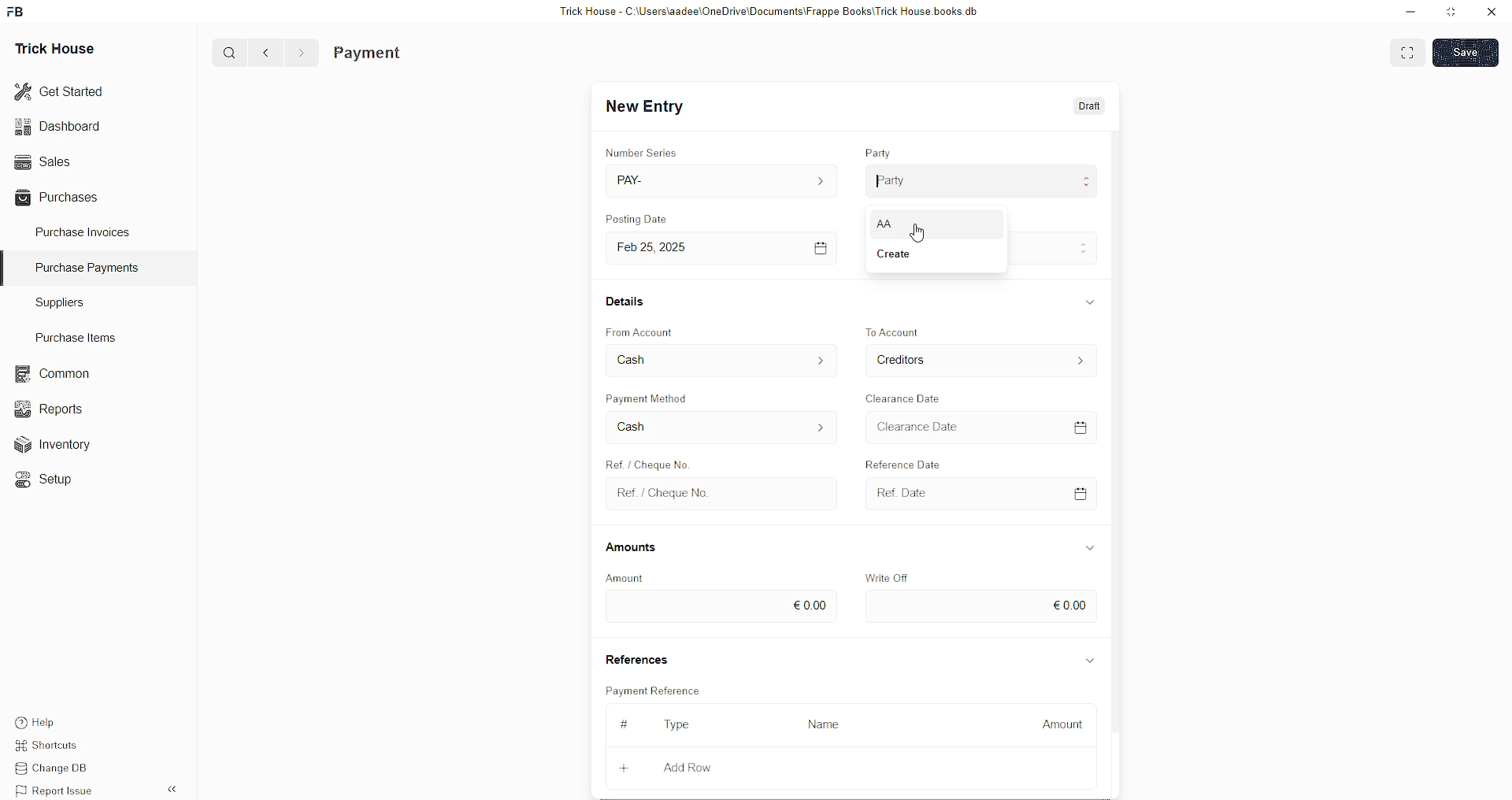  What do you see at coordinates (892, 179) in the screenshot?
I see `Party` at bounding box center [892, 179].